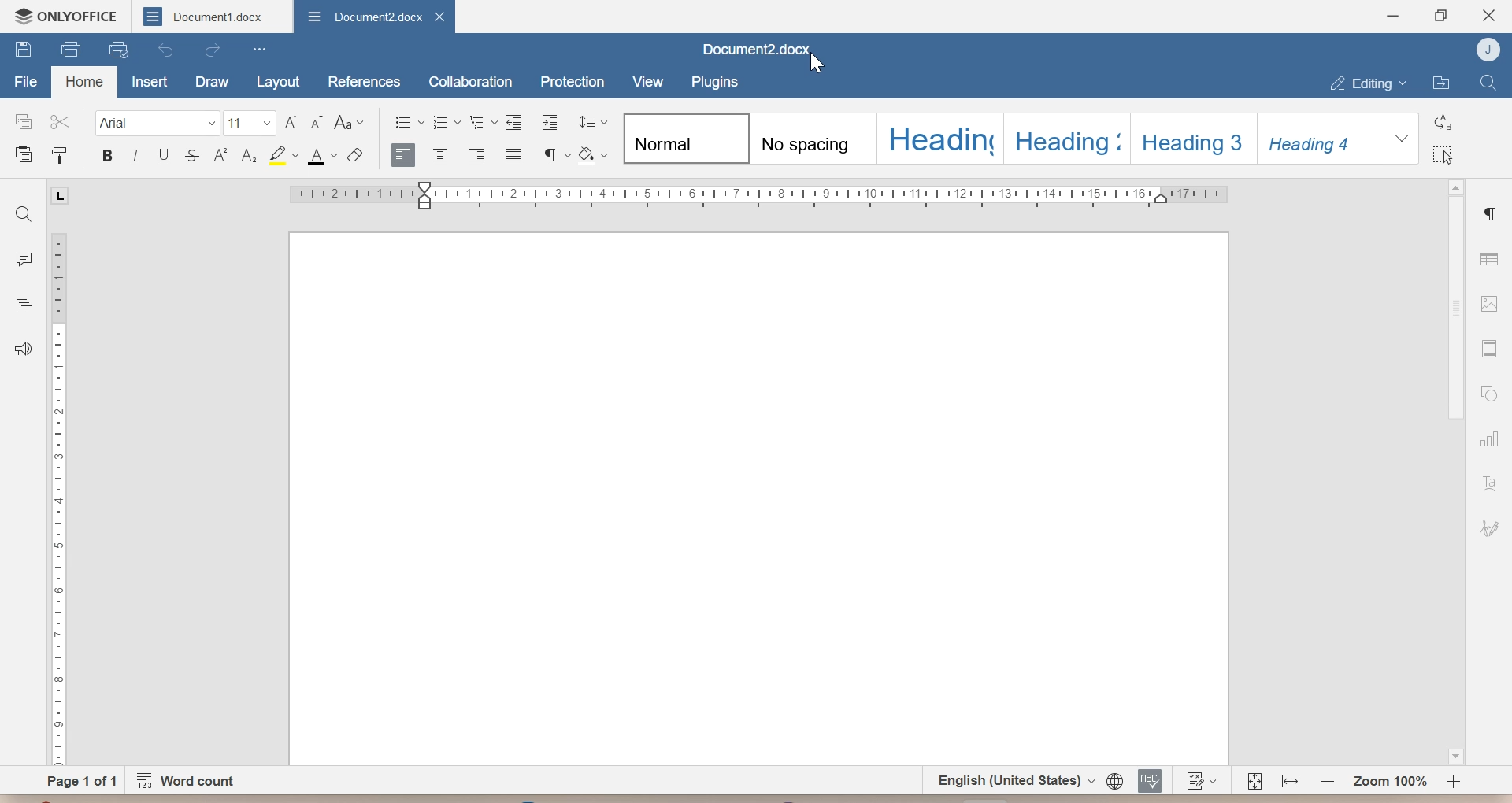  I want to click on Comments, so click(24, 256).